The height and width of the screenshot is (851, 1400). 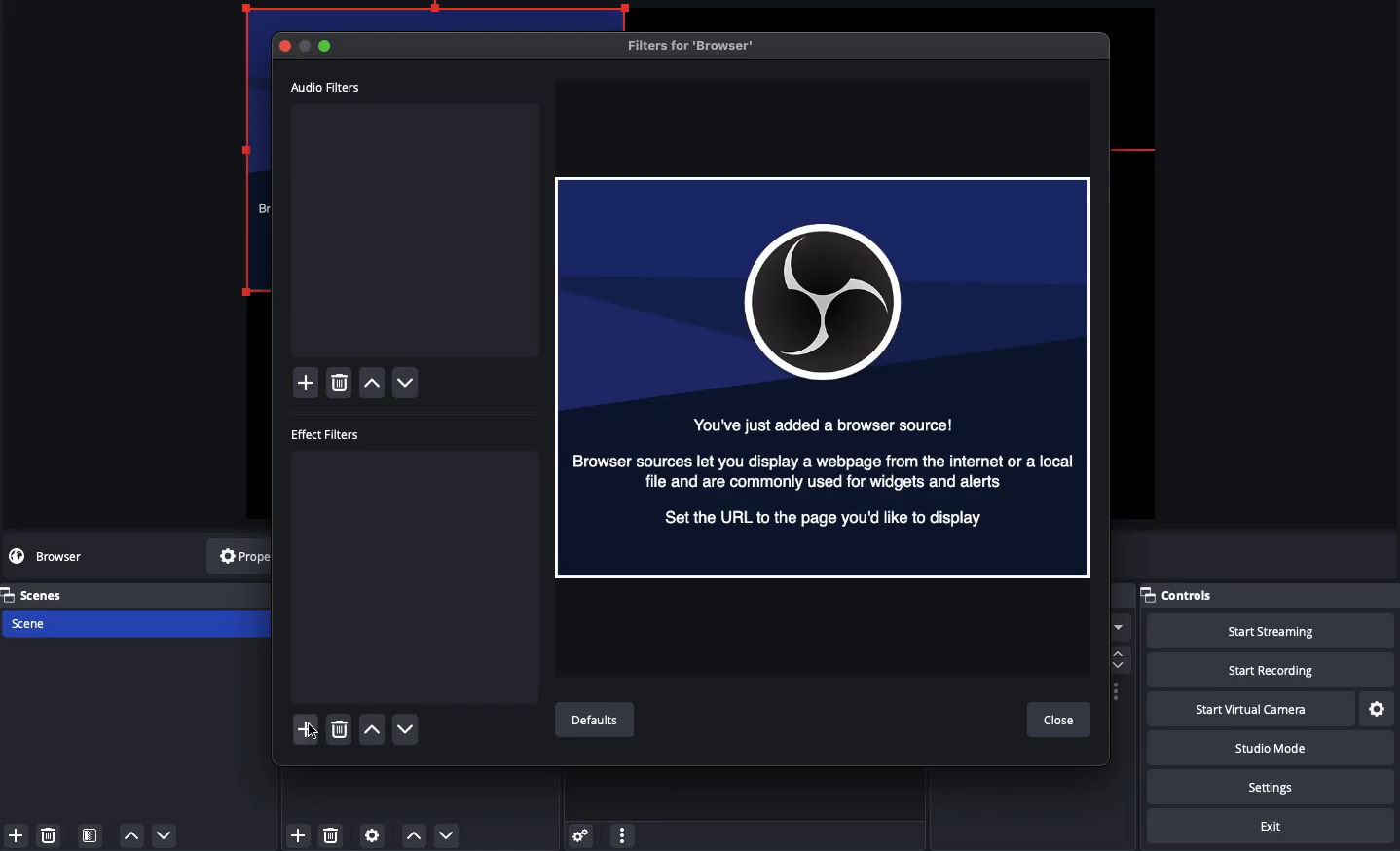 I want to click on Audio filters, so click(x=327, y=87).